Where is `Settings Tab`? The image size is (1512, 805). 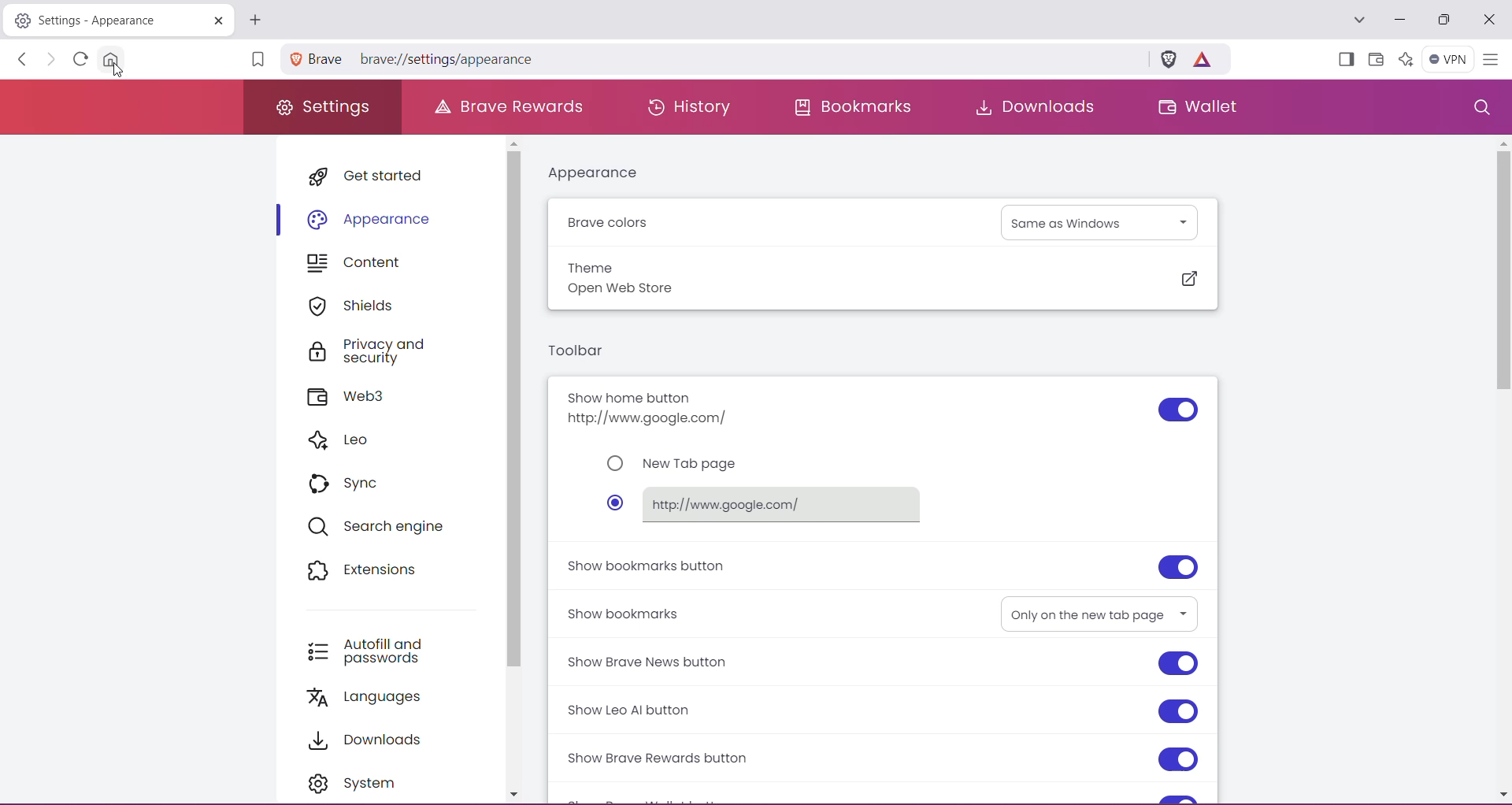
Settings Tab is located at coordinates (94, 20).